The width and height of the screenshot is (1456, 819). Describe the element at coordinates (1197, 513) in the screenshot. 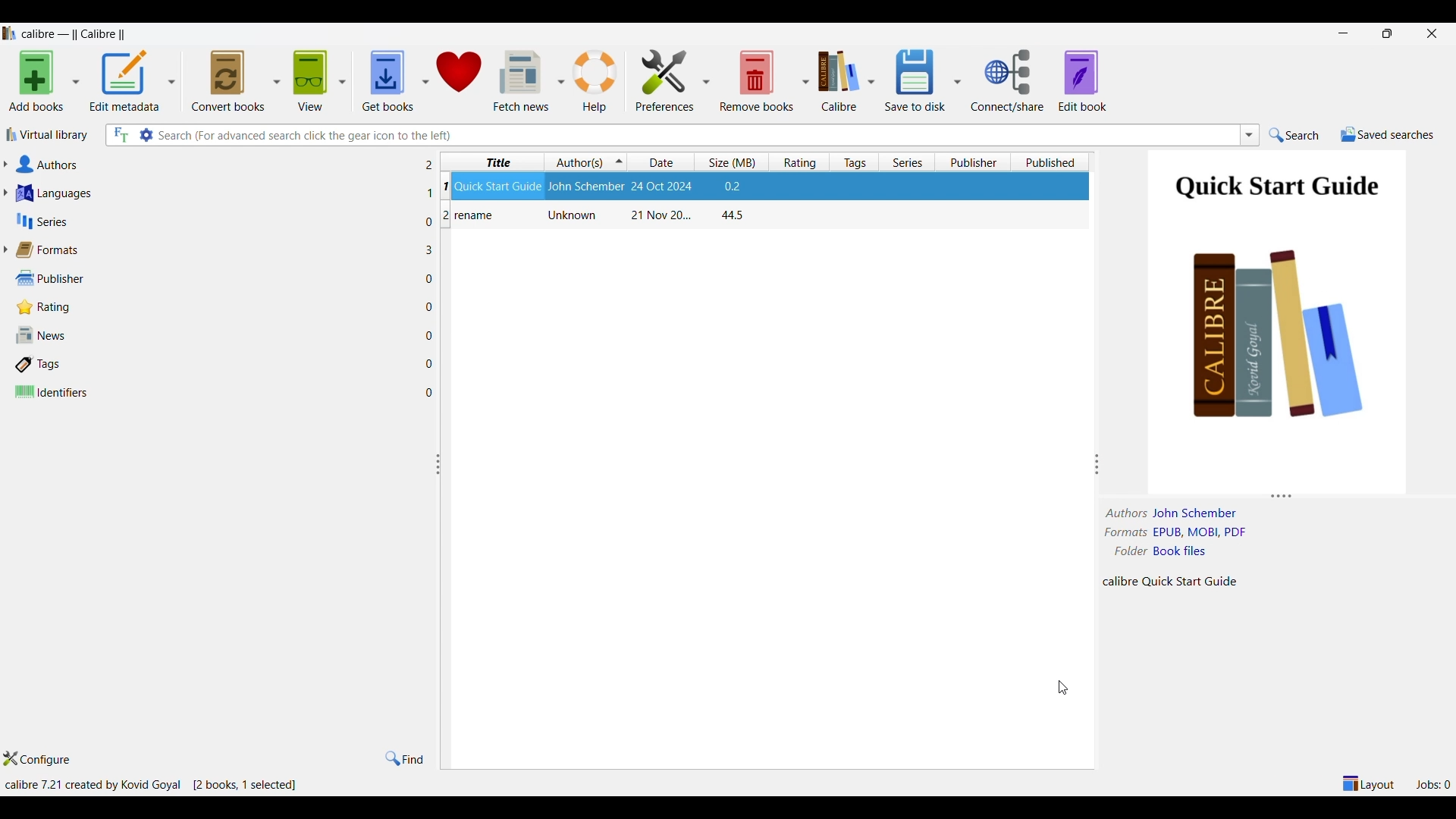

I see `Author name` at that location.